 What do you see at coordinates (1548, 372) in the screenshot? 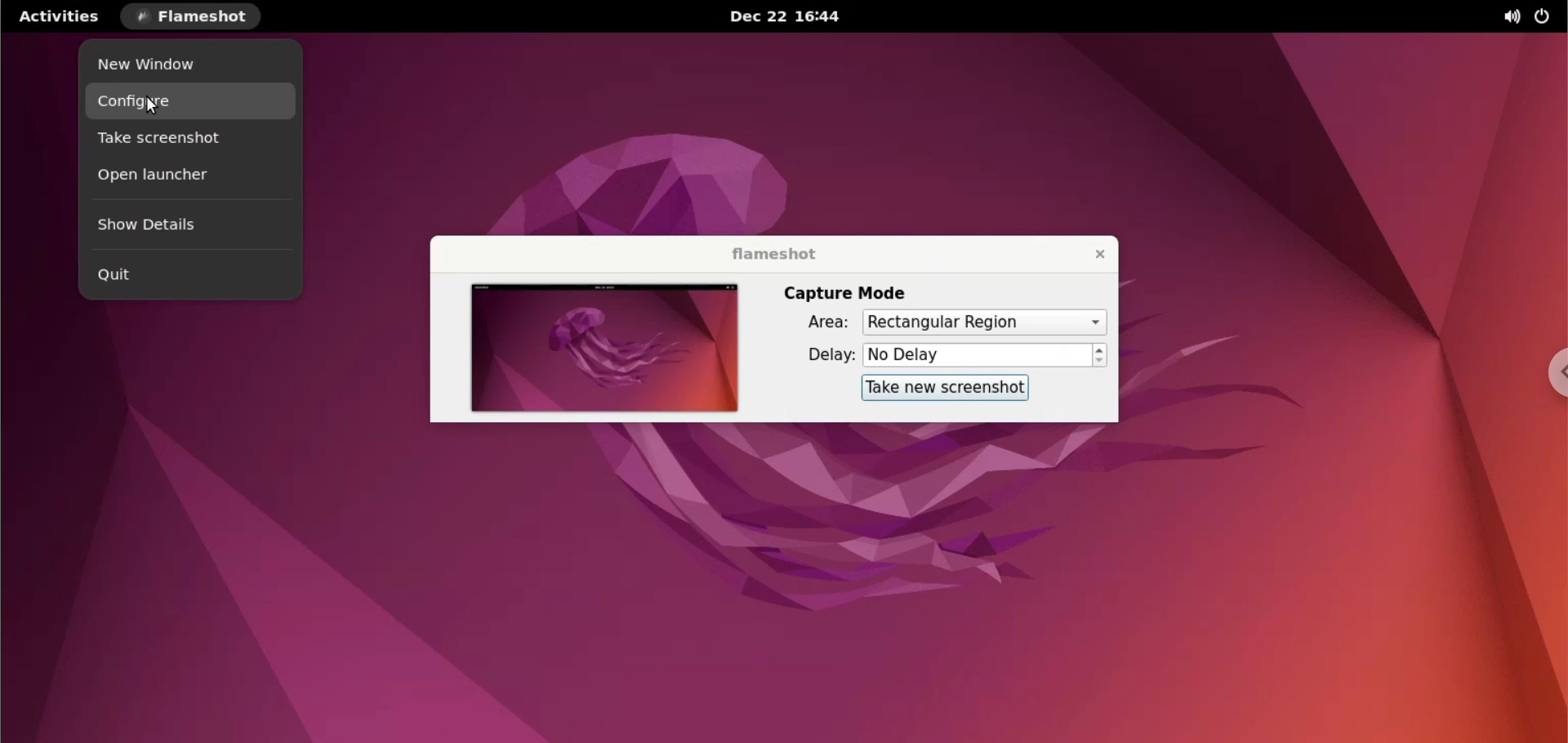
I see `chrome options` at bounding box center [1548, 372].